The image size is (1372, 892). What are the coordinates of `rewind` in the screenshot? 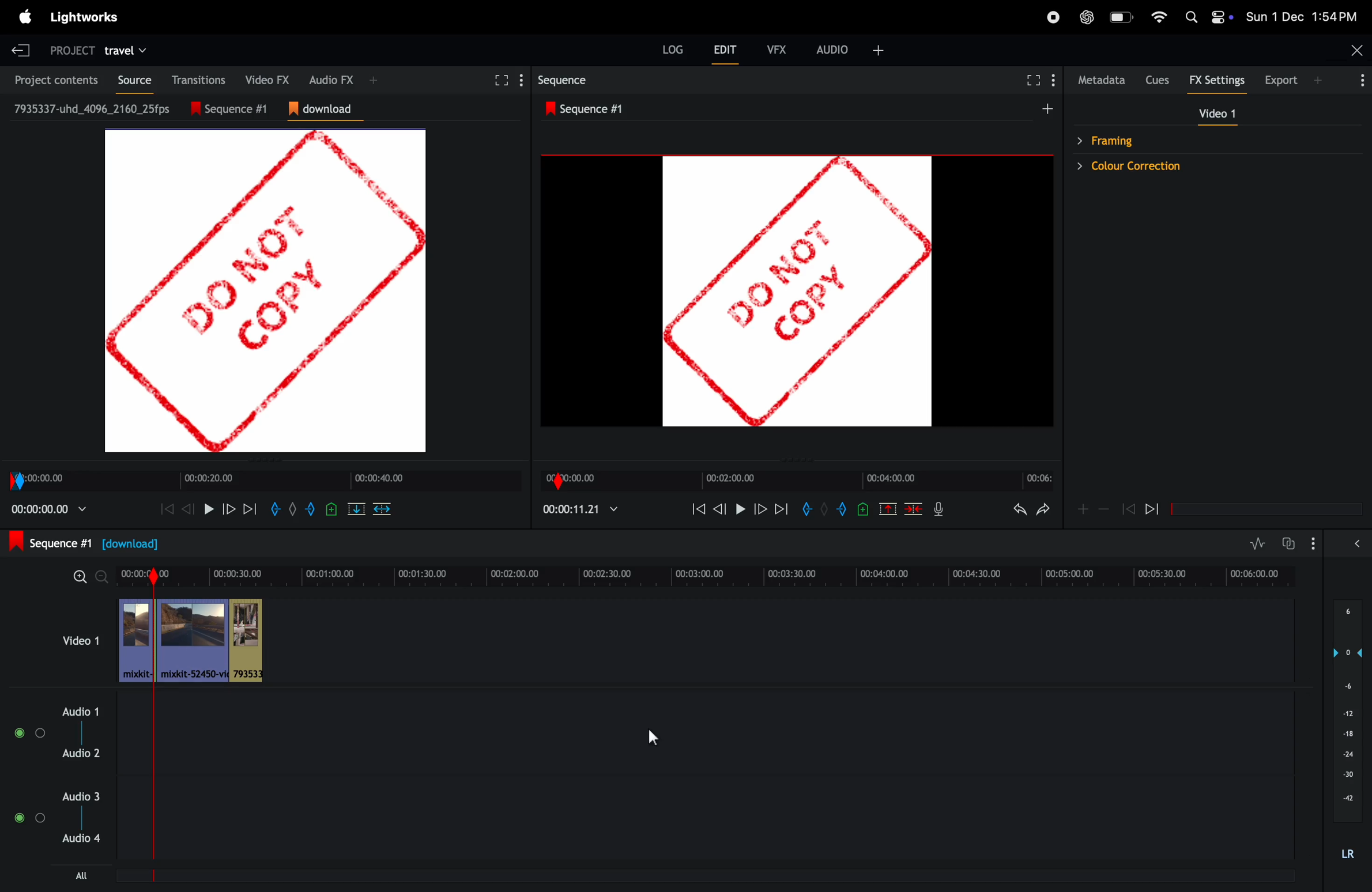 It's located at (1152, 508).